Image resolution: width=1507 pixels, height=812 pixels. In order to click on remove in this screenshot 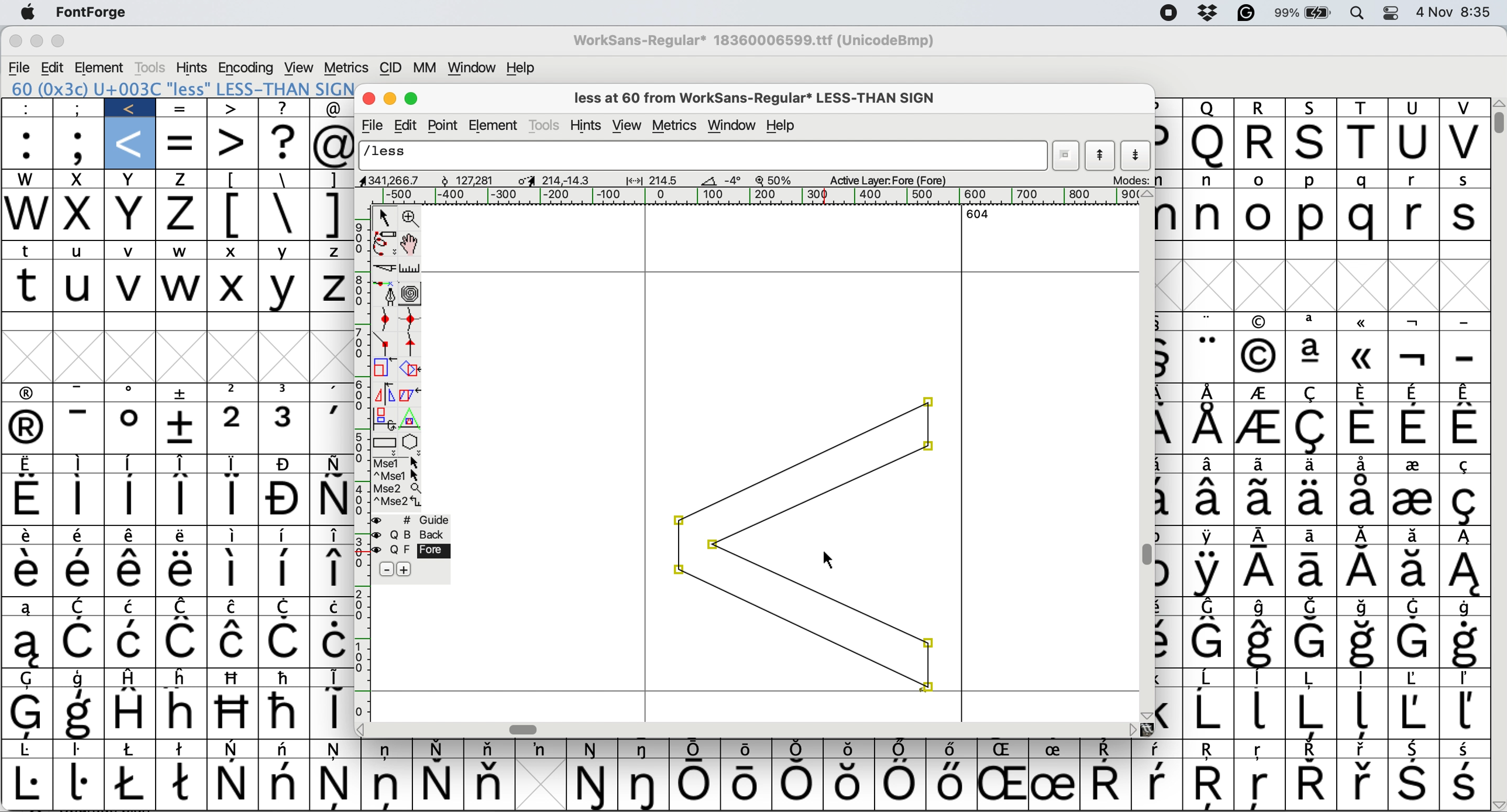, I will do `click(389, 568)`.